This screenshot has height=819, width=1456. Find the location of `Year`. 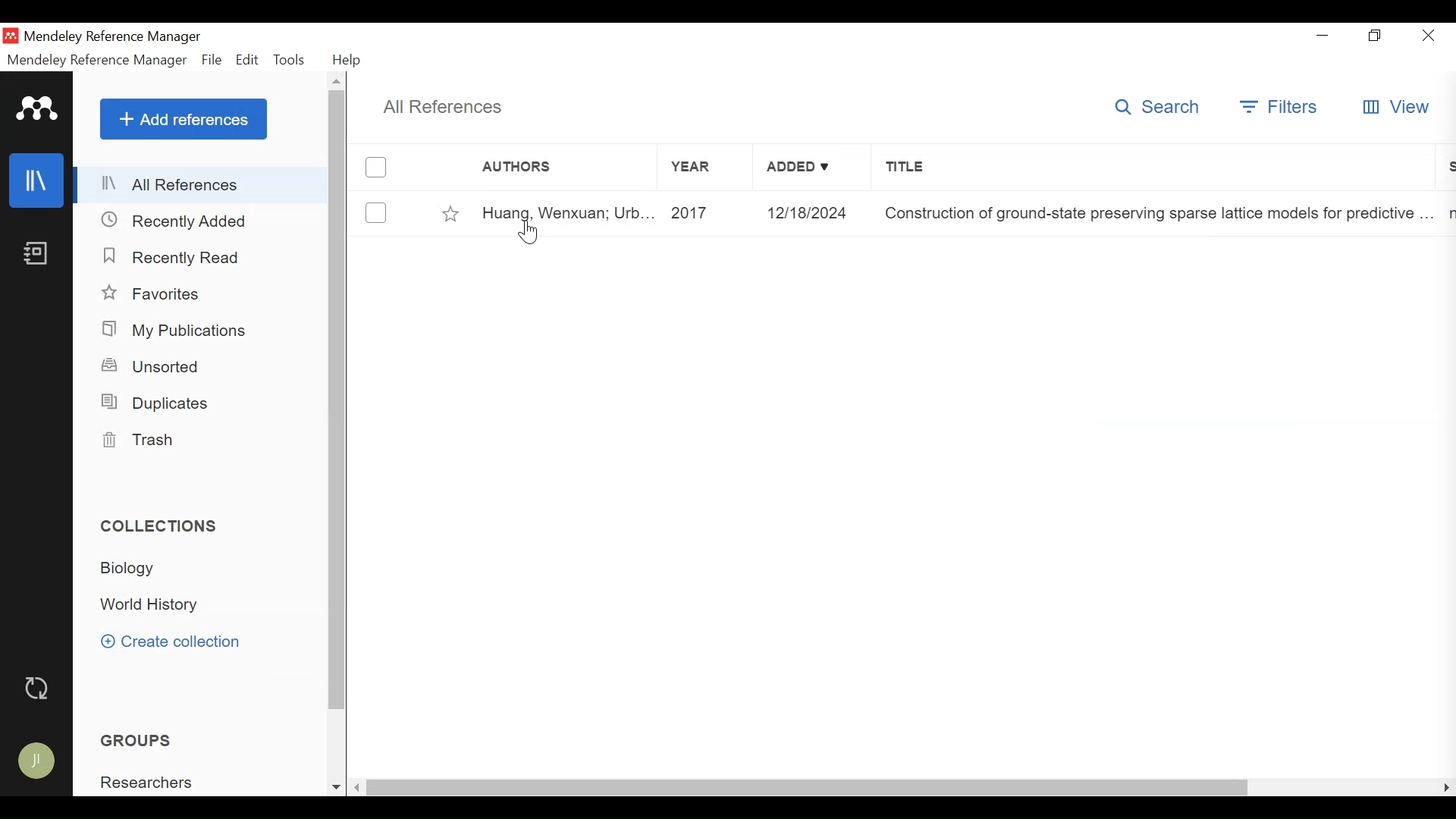

Year is located at coordinates (814, 213).